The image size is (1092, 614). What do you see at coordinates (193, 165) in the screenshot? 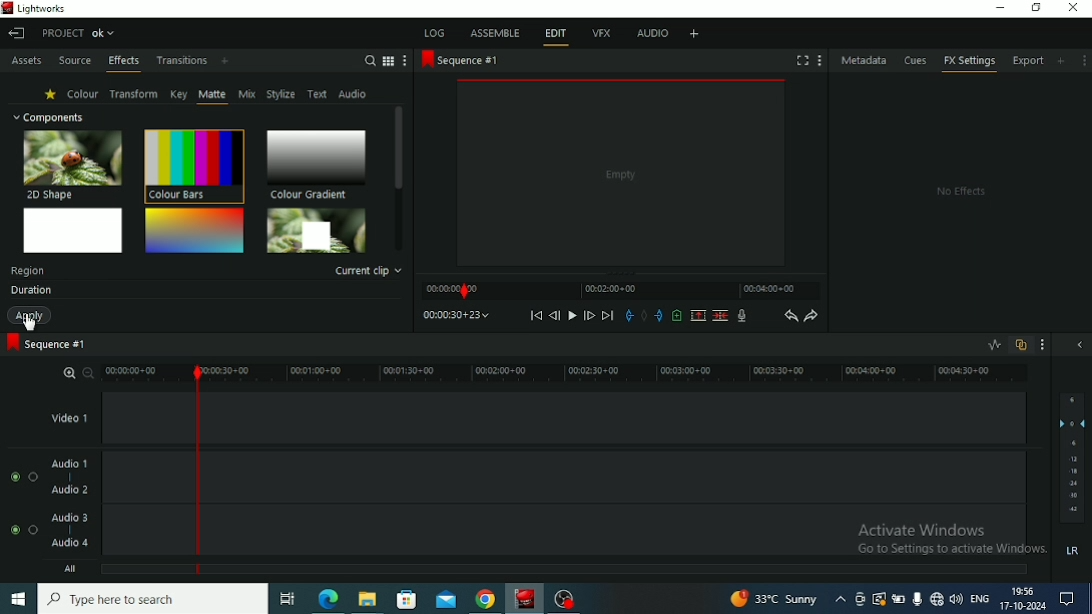
I see `Colour Bars` at bounding box center [193, 165].